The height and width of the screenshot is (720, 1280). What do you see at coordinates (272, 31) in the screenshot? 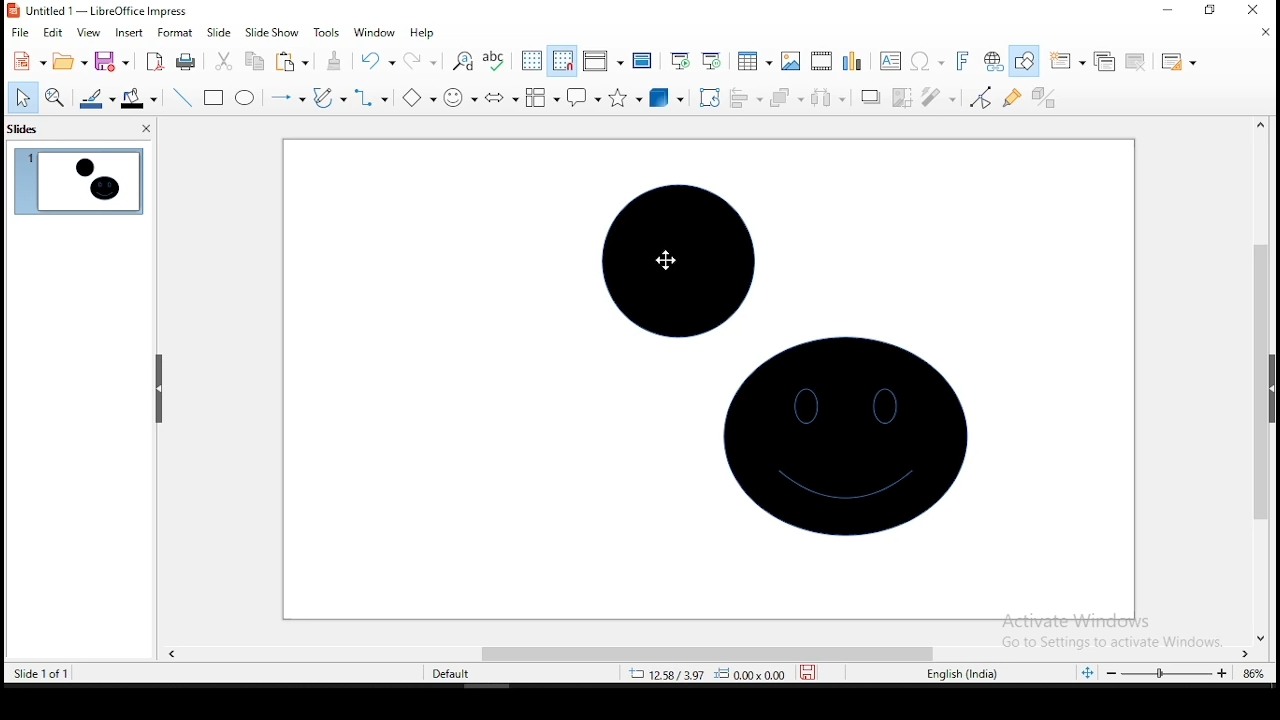
I see `slide show` at bounding box center [272, 31].